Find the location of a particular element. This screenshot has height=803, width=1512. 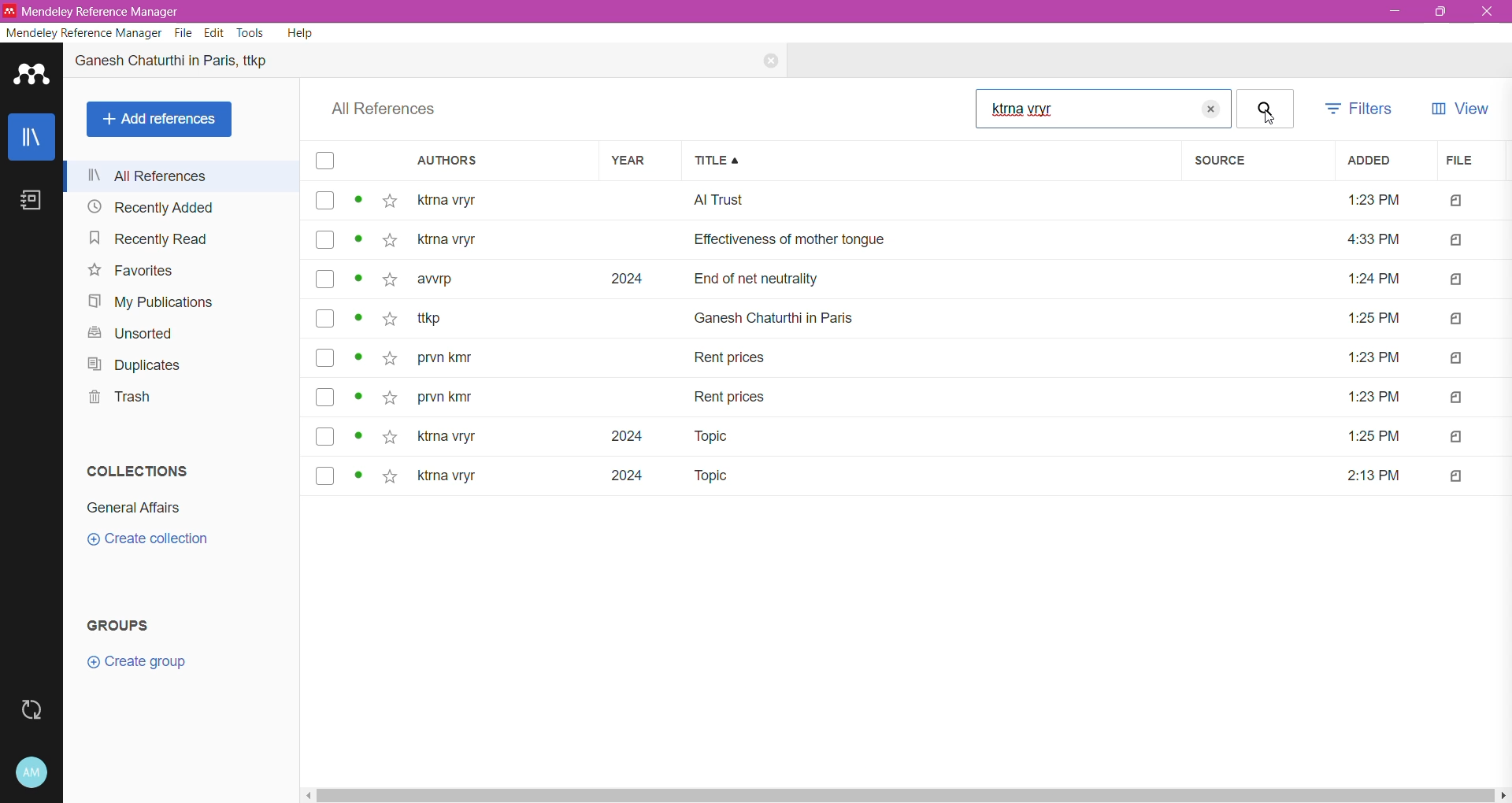

select reference  is located at coordinates (324, 437).